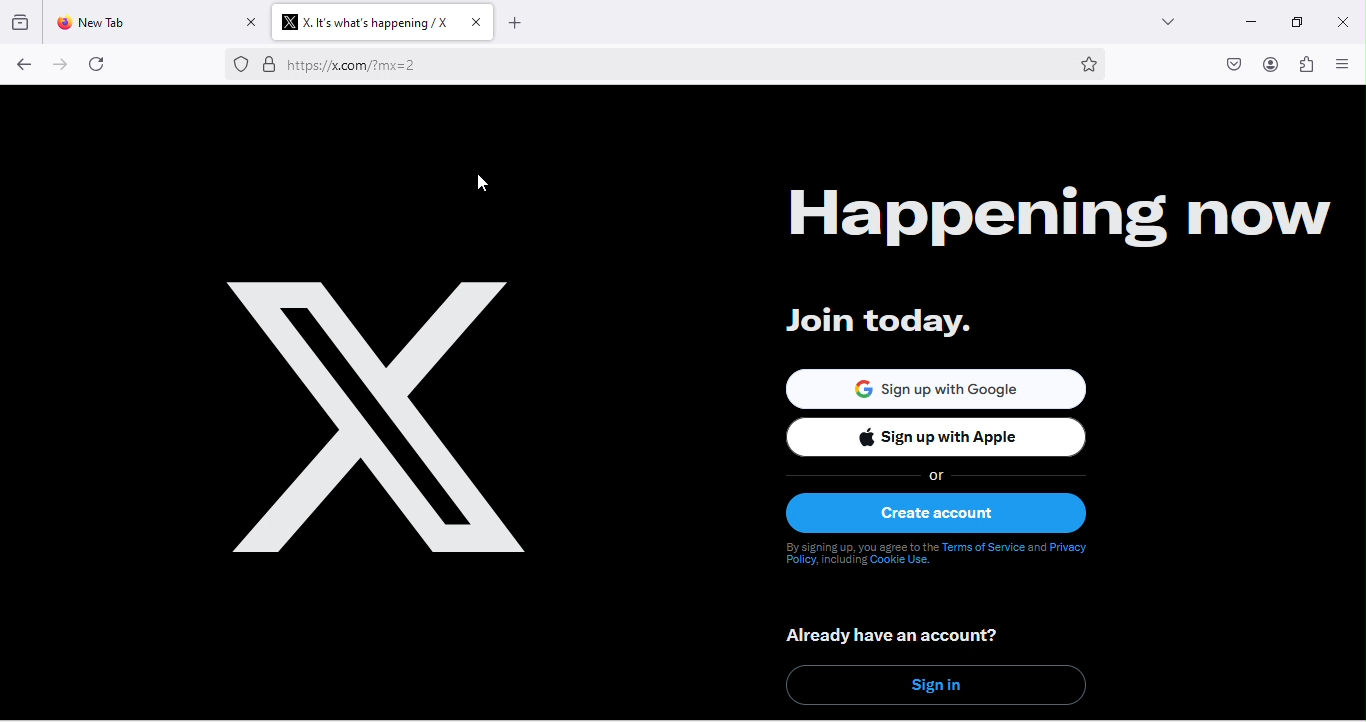  I want to click on pocket, so click(1226, 62).